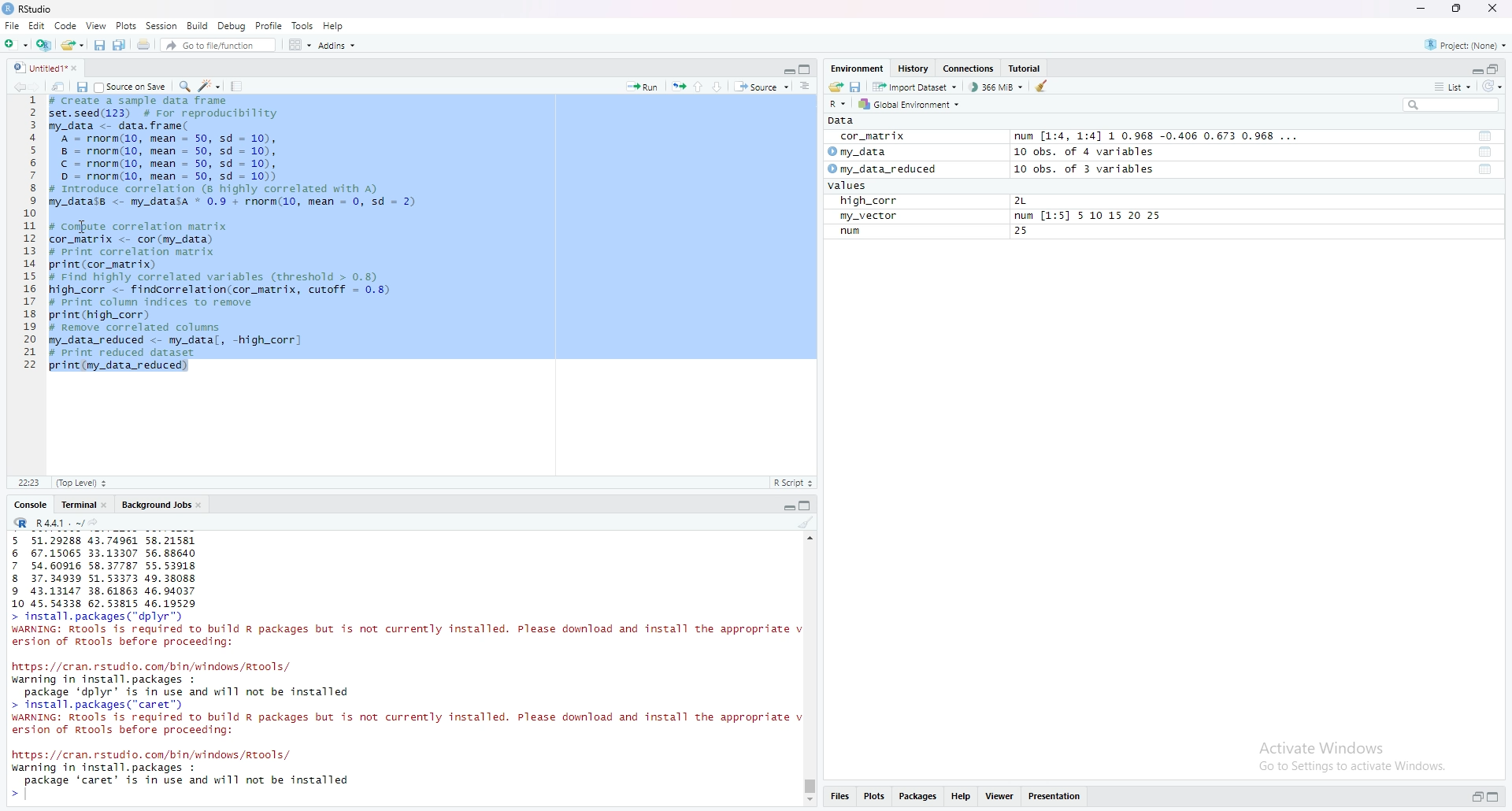 Image resolution: width=1512 pixels, height=811 pixels. I want to click on minimise, so click(1421, 8).